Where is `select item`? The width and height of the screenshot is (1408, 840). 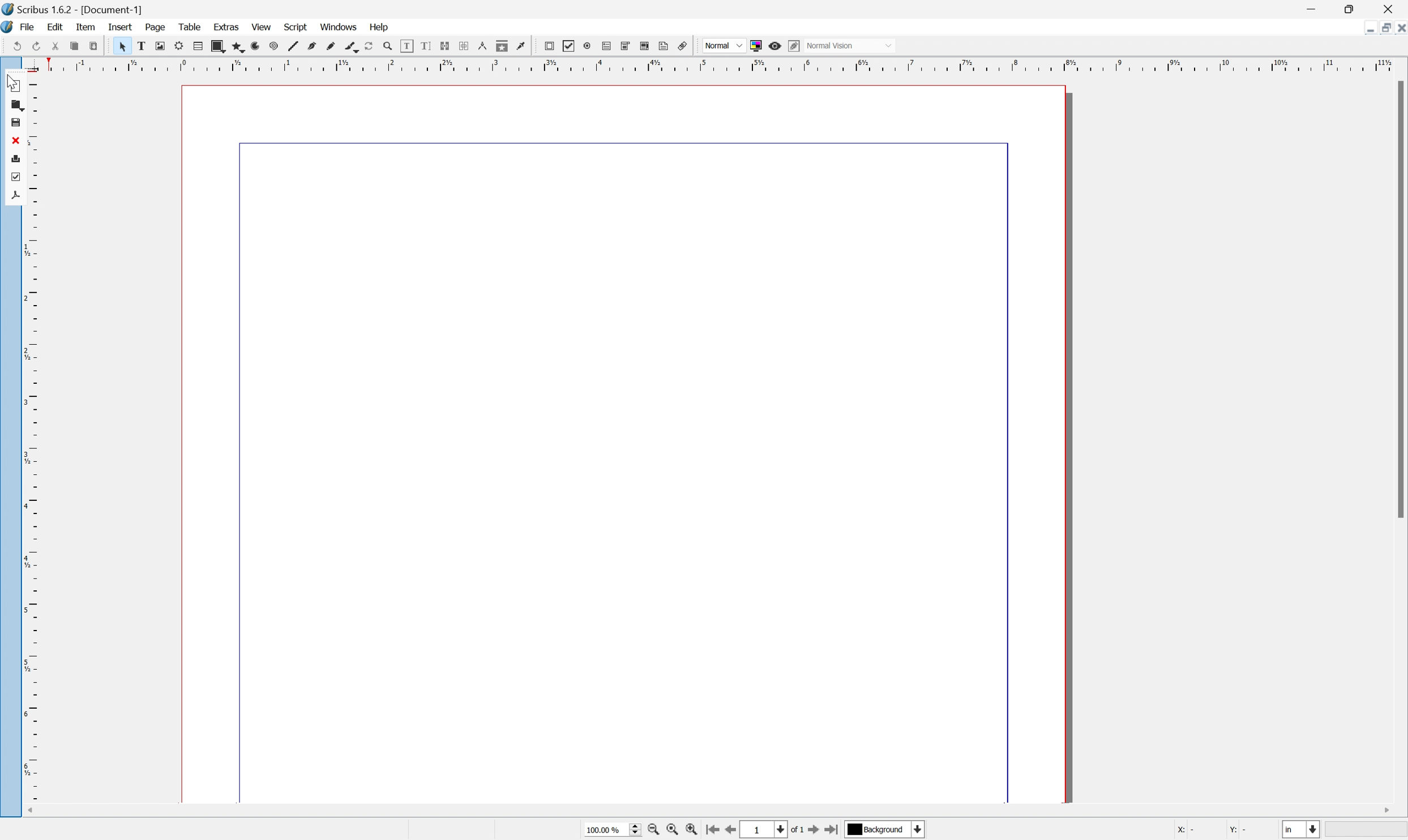 select item is located at coordinates (254, 46).